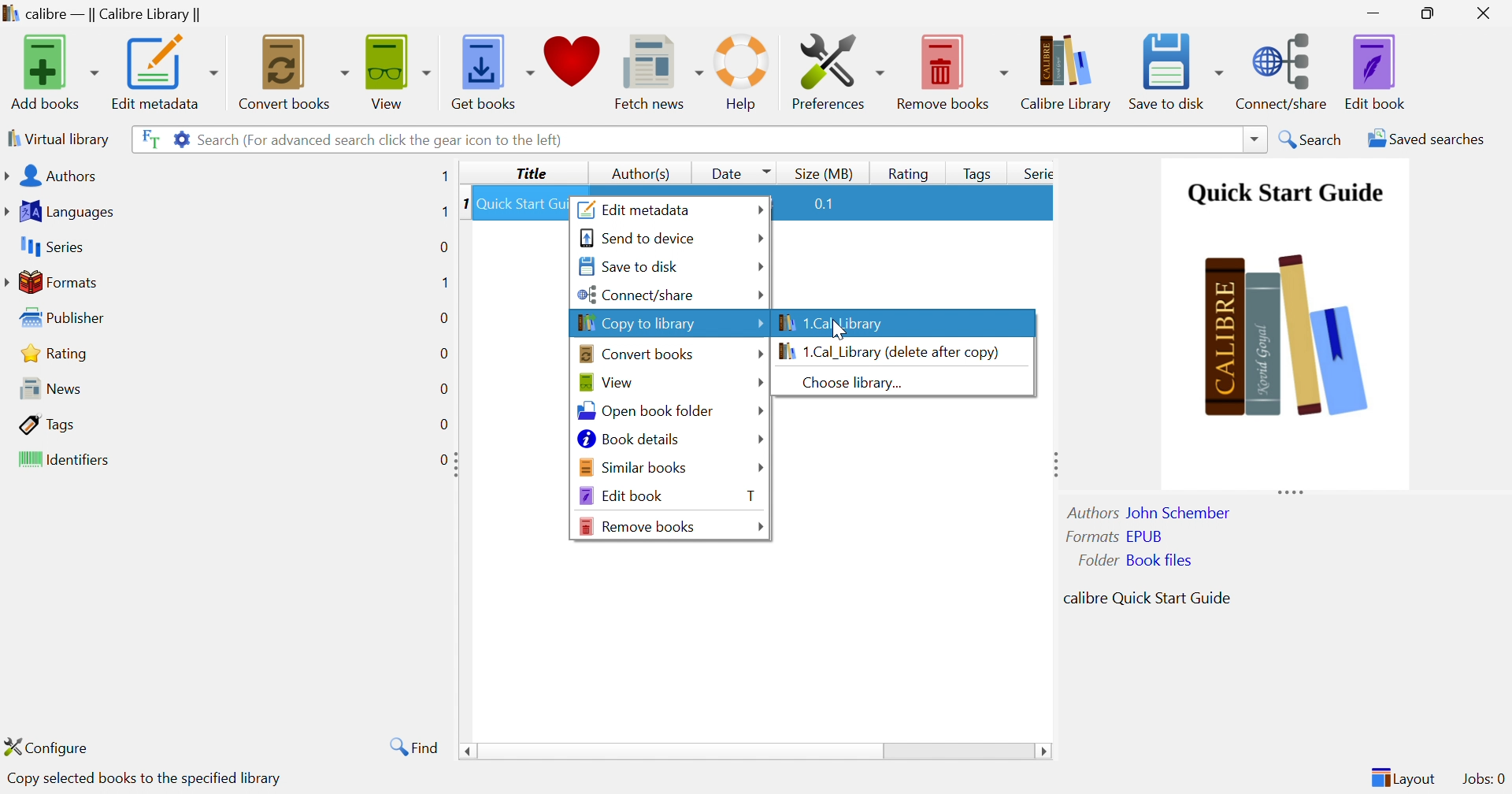 This screenshot has width=1512, height=794. Describe the element at coordinates (105, 13) in the screenshot. I see `calibre - || Calibre Library||` at that location.